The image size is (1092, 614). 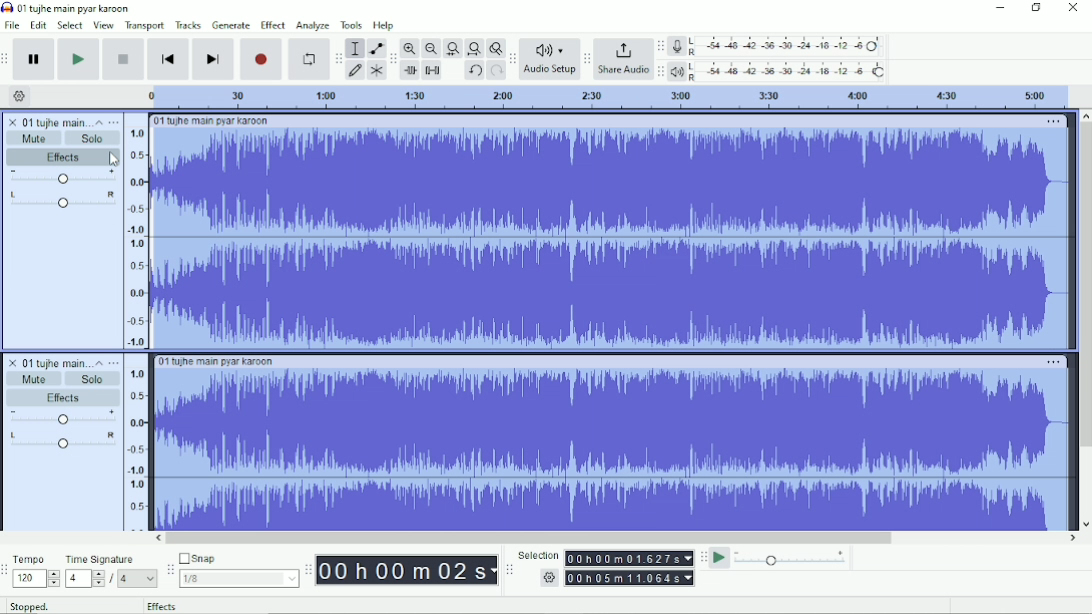 I want to click on close, so click(x=10, y=363).